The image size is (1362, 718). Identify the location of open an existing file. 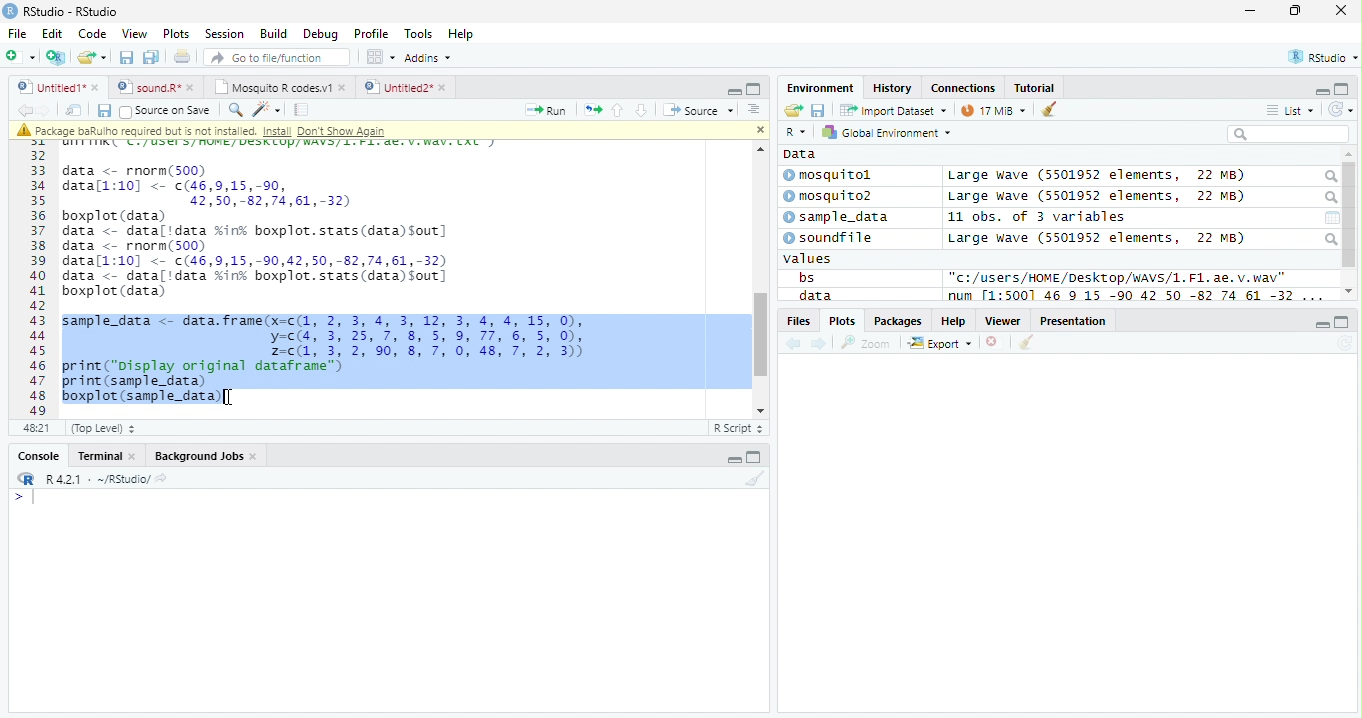
(92, 57).